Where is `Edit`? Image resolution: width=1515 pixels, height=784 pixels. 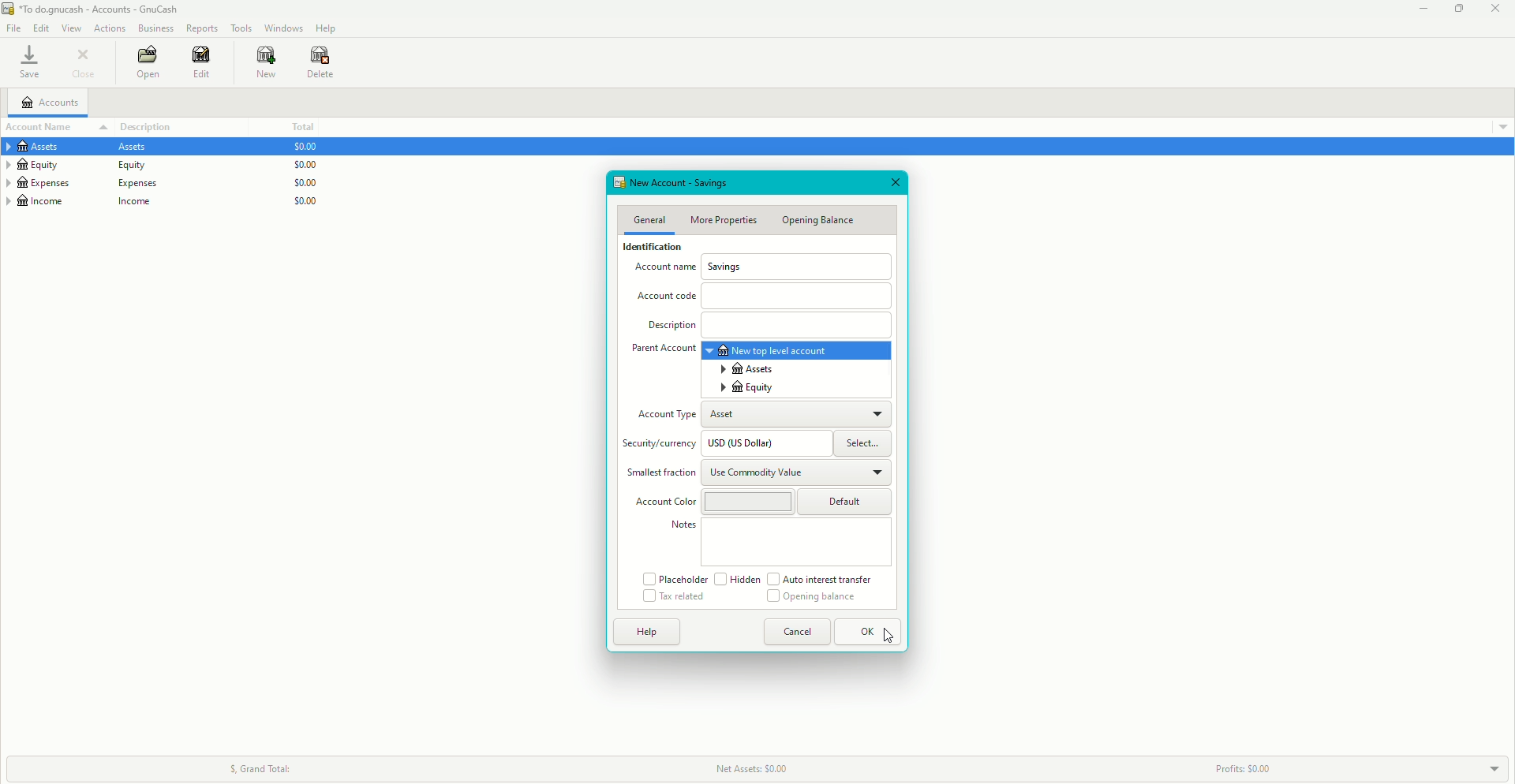
Edit is located at coordinates (198, 63).